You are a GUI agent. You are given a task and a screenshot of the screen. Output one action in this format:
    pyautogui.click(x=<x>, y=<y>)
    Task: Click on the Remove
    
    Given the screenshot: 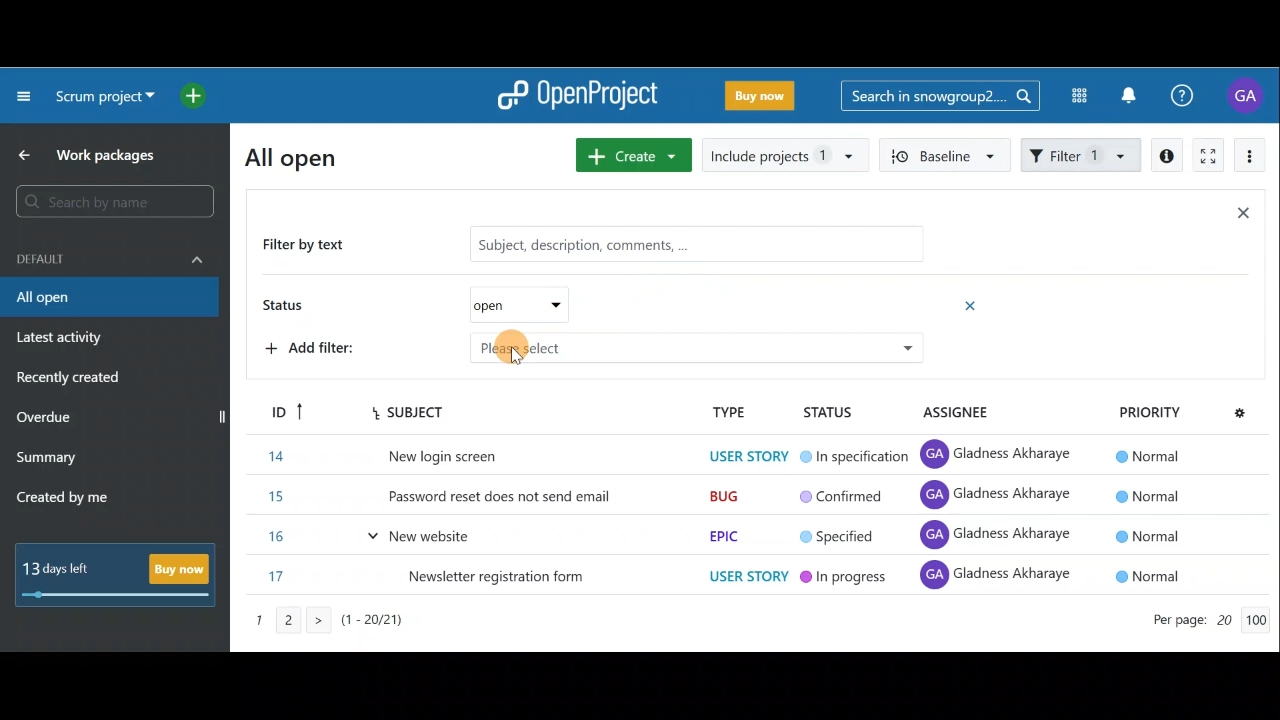 What is the action you would take?
    pyautogui.click(x=972, y=305)
    